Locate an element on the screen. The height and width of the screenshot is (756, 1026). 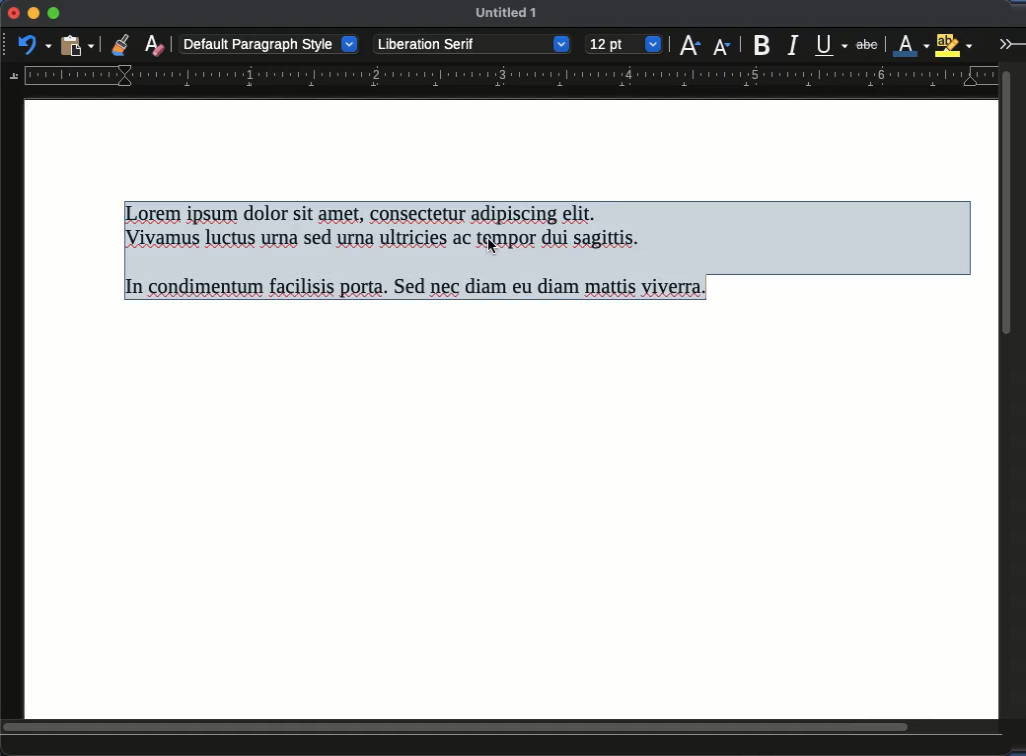
maximize  is located at coordinates (53, 14).